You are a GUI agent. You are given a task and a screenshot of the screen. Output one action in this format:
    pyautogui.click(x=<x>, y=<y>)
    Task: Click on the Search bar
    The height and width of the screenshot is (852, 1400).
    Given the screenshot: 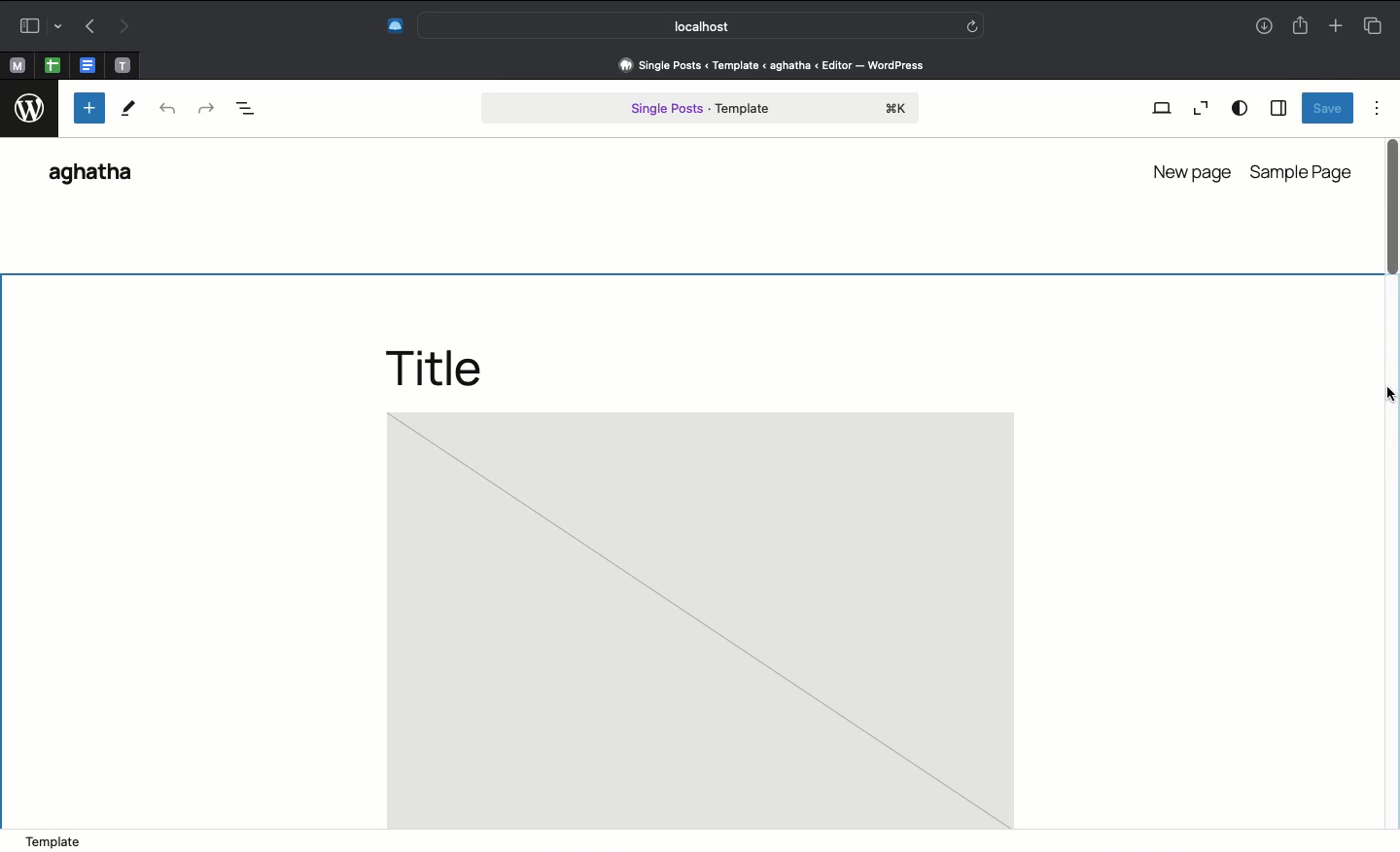 What is the action you would take?
    pyautogui.click(x=704, y=25)
    